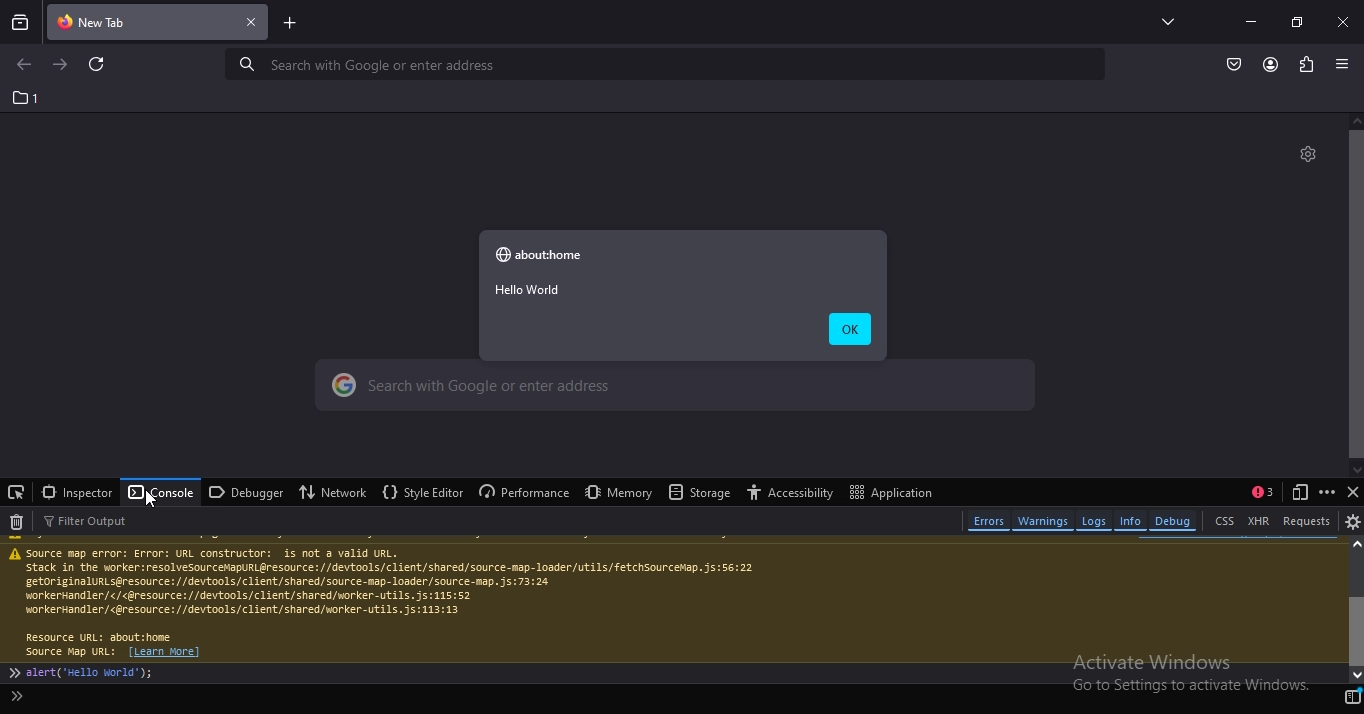  Describe the element at coordinates (1095, 521) in the screenshot. I see `logs` at that location.